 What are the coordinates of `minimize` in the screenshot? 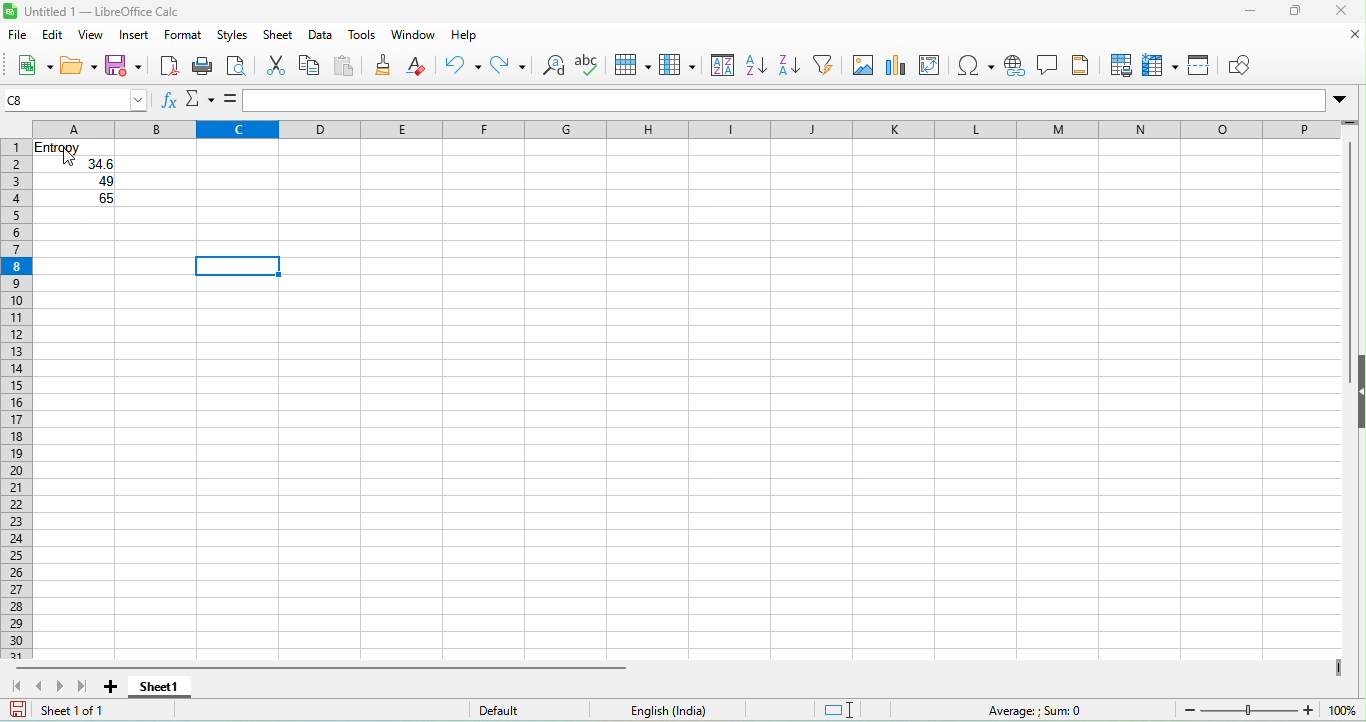 It's located at (1248, 13).